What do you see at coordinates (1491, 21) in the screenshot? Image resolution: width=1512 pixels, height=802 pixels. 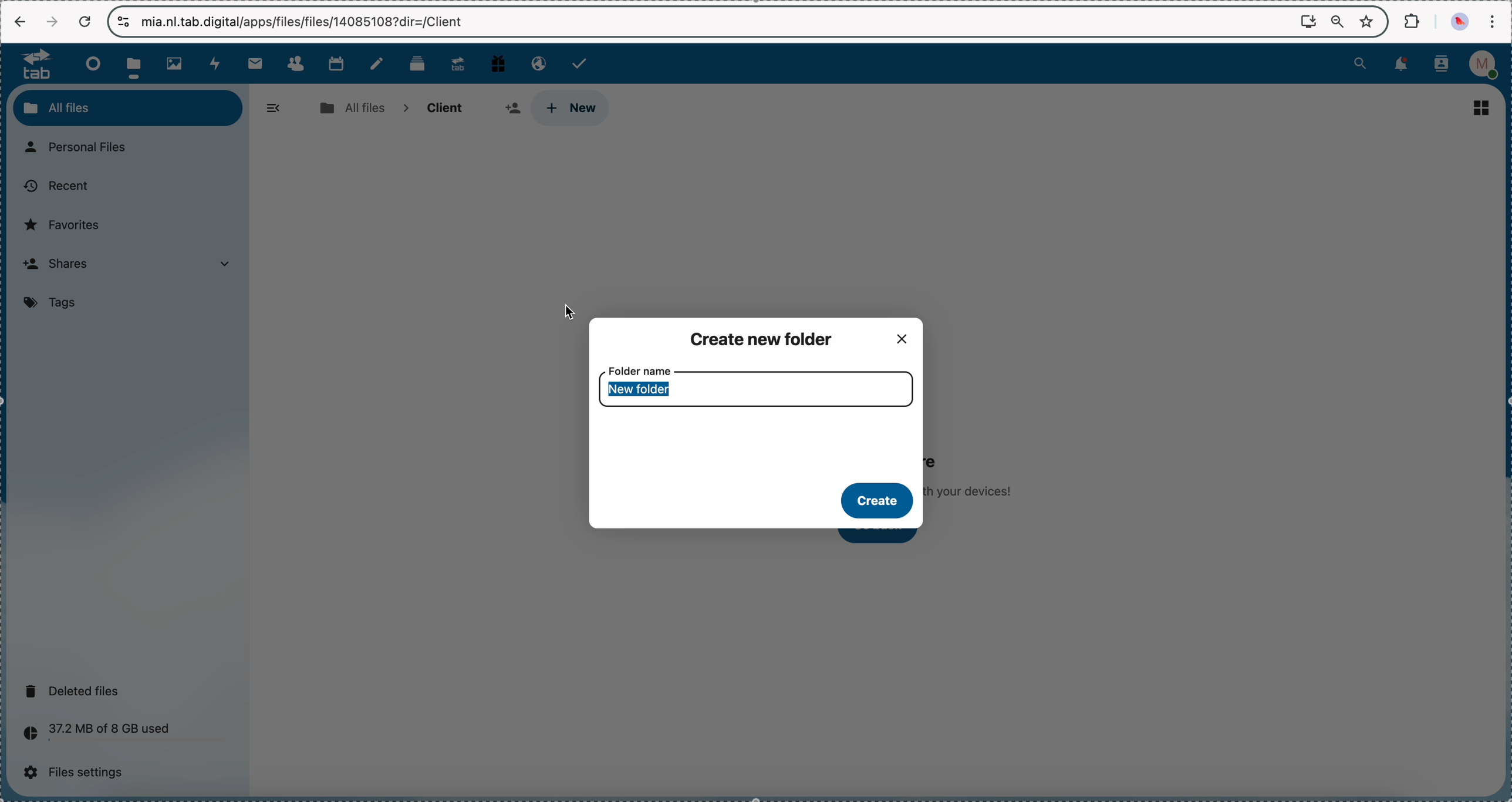 I see `customize and control Google Chrome` at bounding box center [1491, 21].